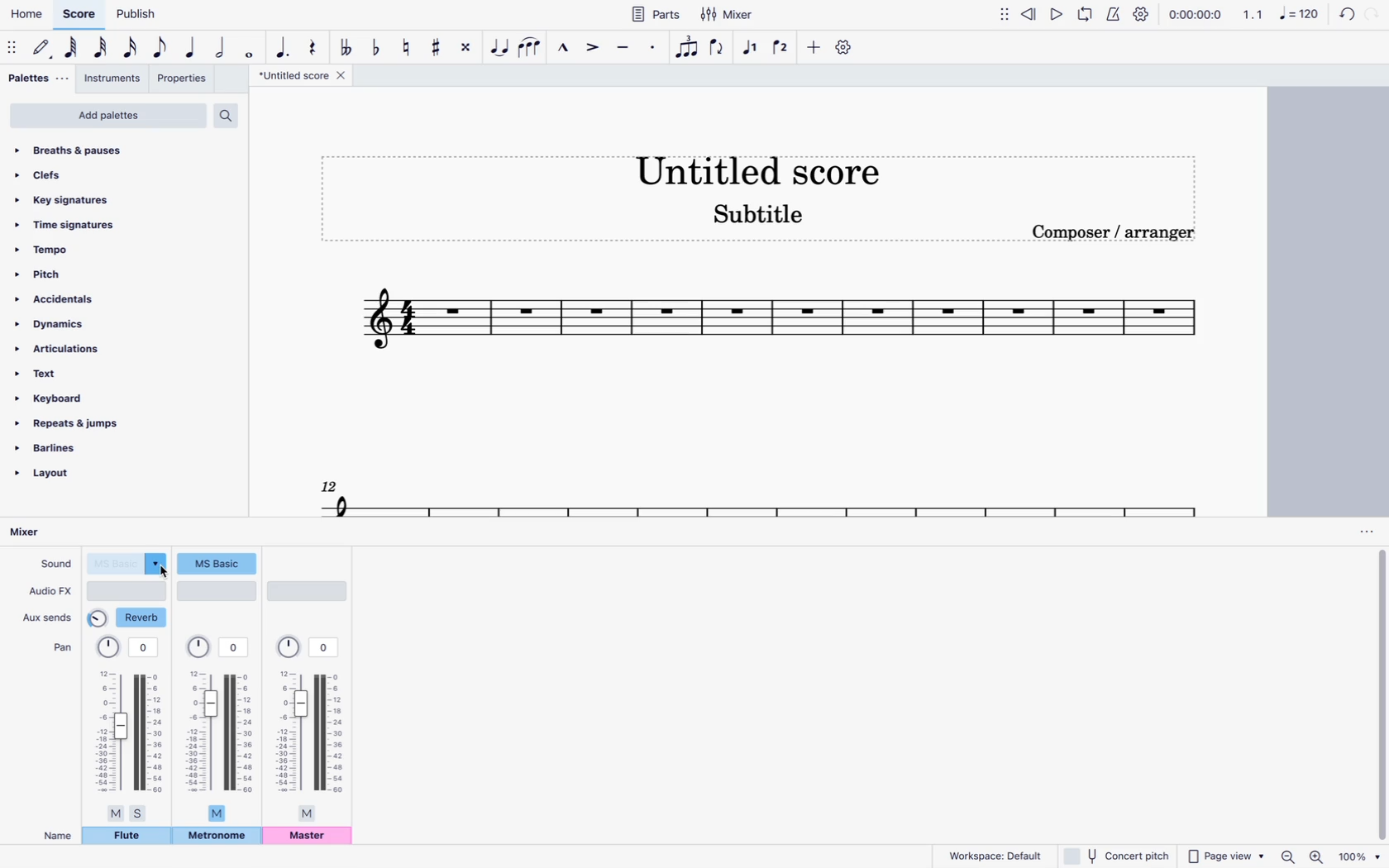 The height and width of the screenshot is (868, 1389). What do you see at coordinates (731, 14) in the screenshot?
I see `mixer` at bounding box center [731, 14].